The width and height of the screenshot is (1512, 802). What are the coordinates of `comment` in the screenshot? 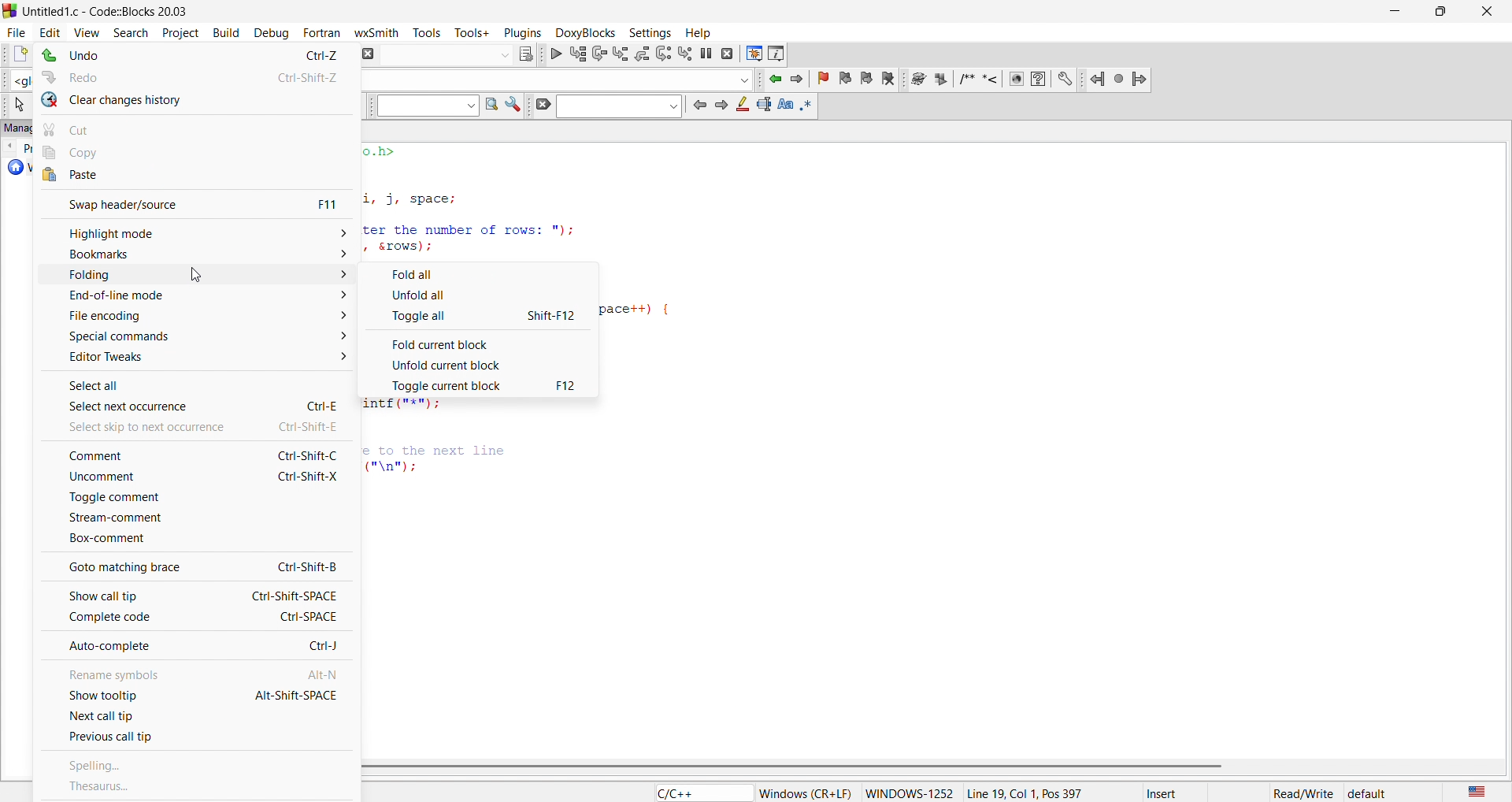 It's located at (192, 455).